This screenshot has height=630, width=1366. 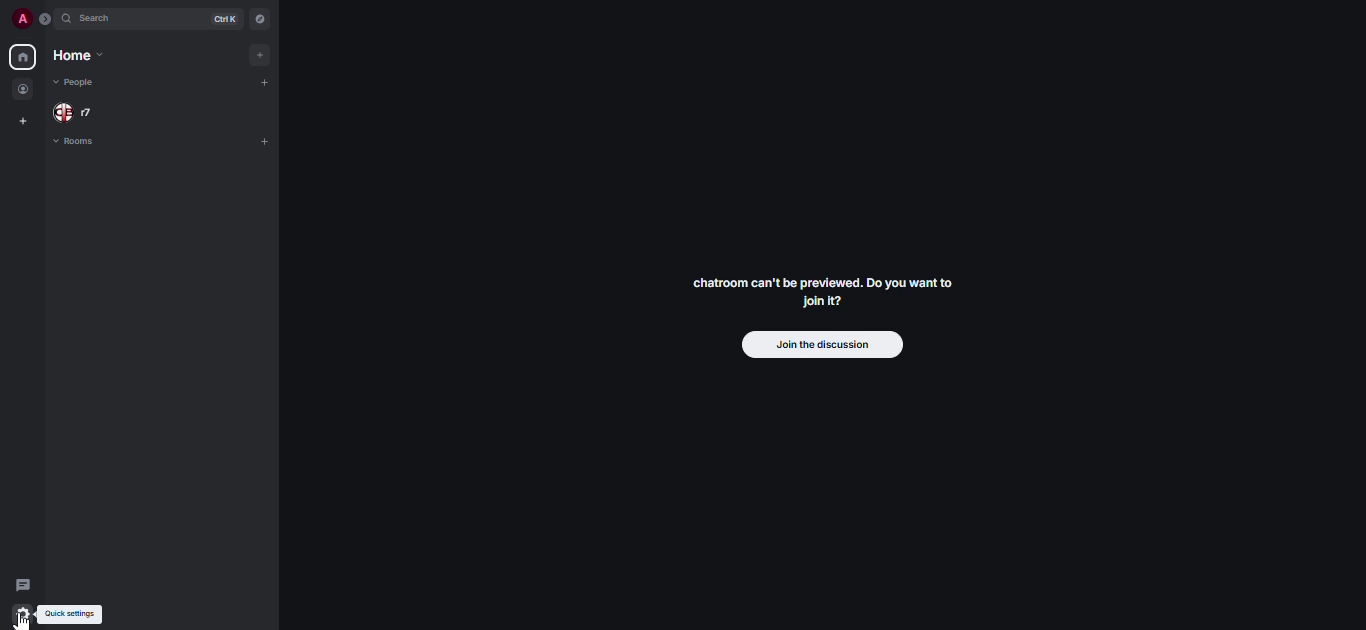 I want to click on quick settings, so click(x=24, y=615).